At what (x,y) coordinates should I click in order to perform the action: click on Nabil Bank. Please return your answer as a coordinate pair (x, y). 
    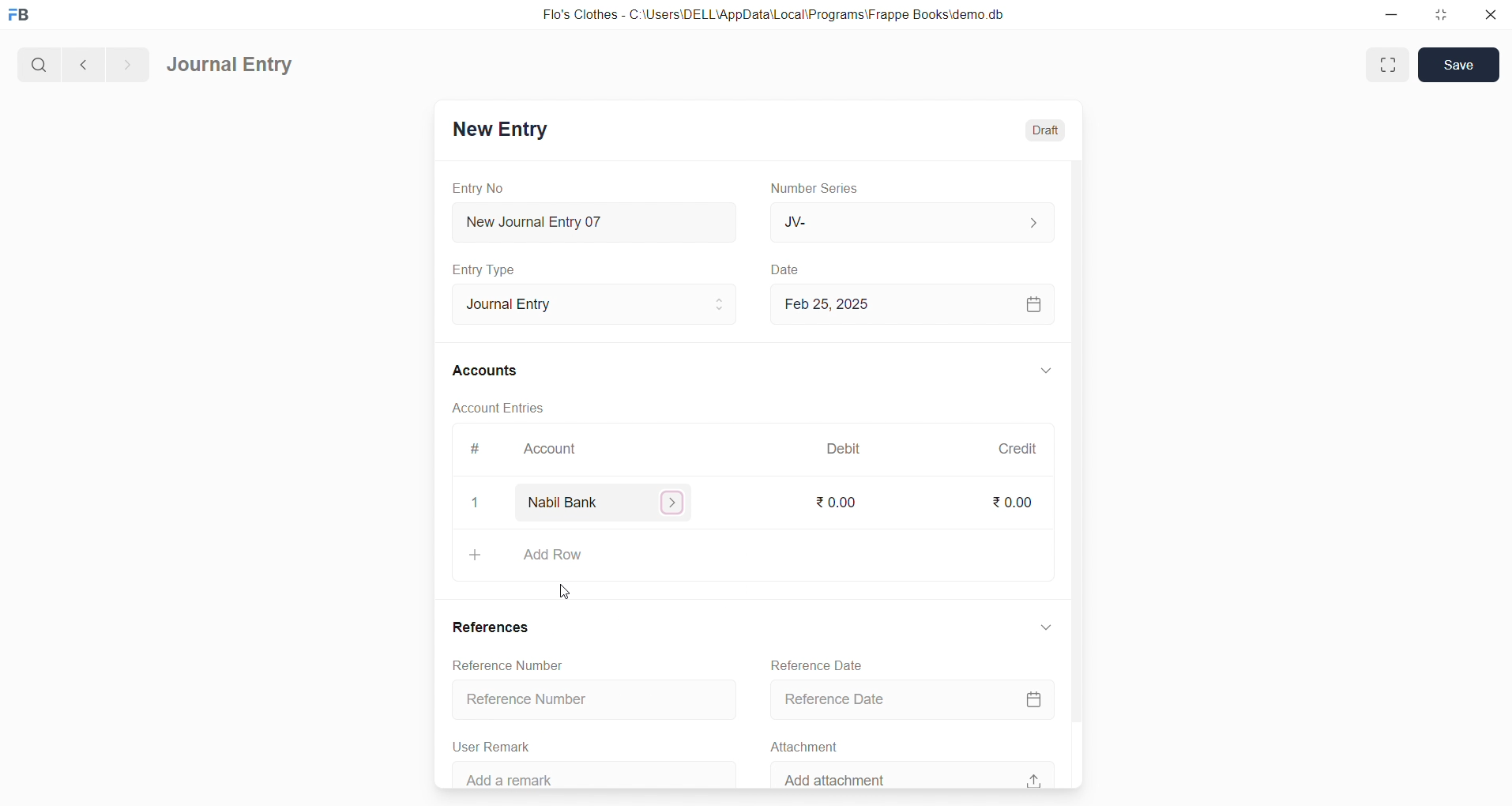
    Looking at the image, I should click on (607, 503).